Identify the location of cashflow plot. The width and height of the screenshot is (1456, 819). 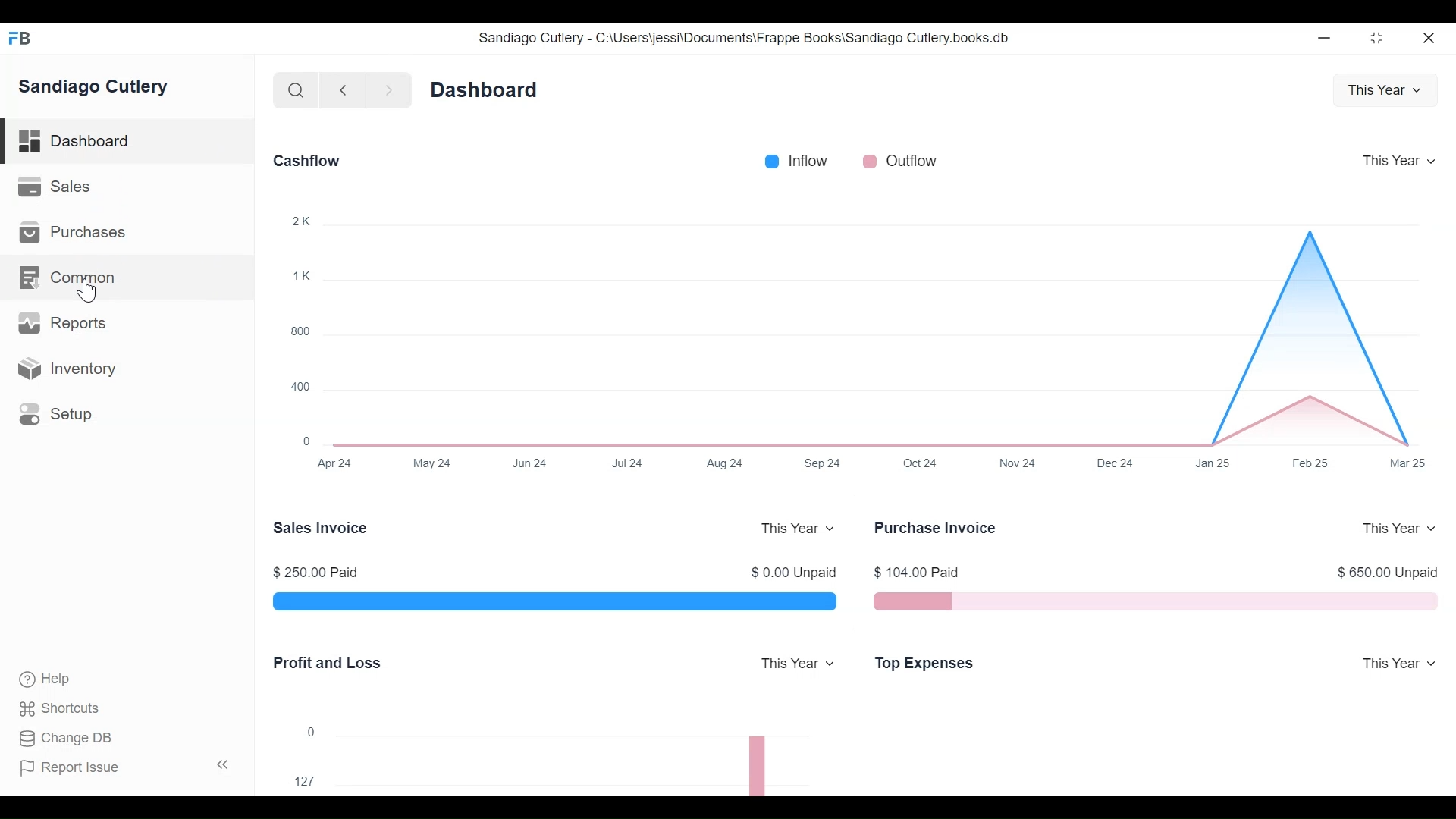
(862, 342).